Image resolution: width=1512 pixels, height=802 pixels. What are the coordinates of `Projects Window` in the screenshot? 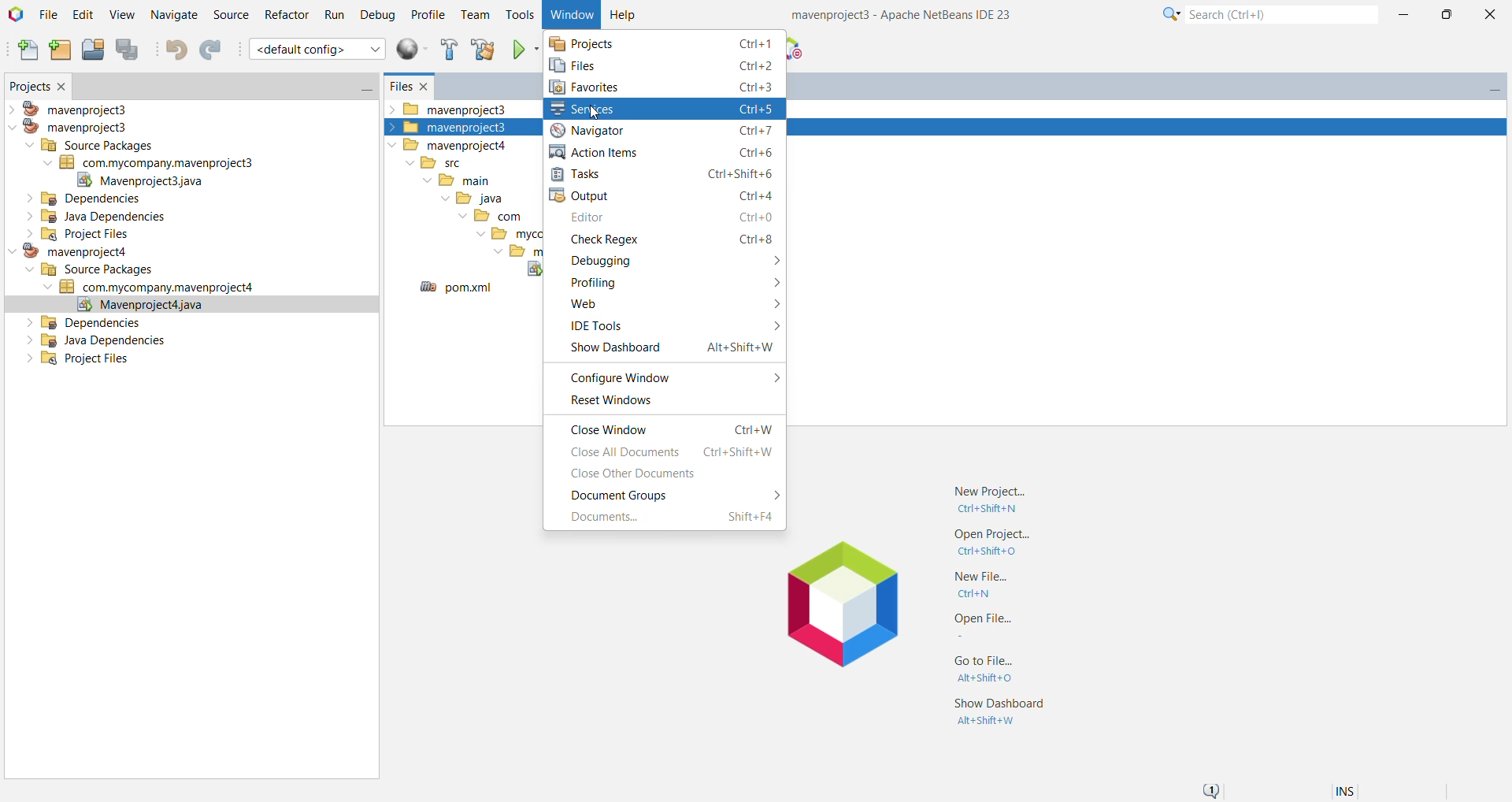 It's located at (26, 85).